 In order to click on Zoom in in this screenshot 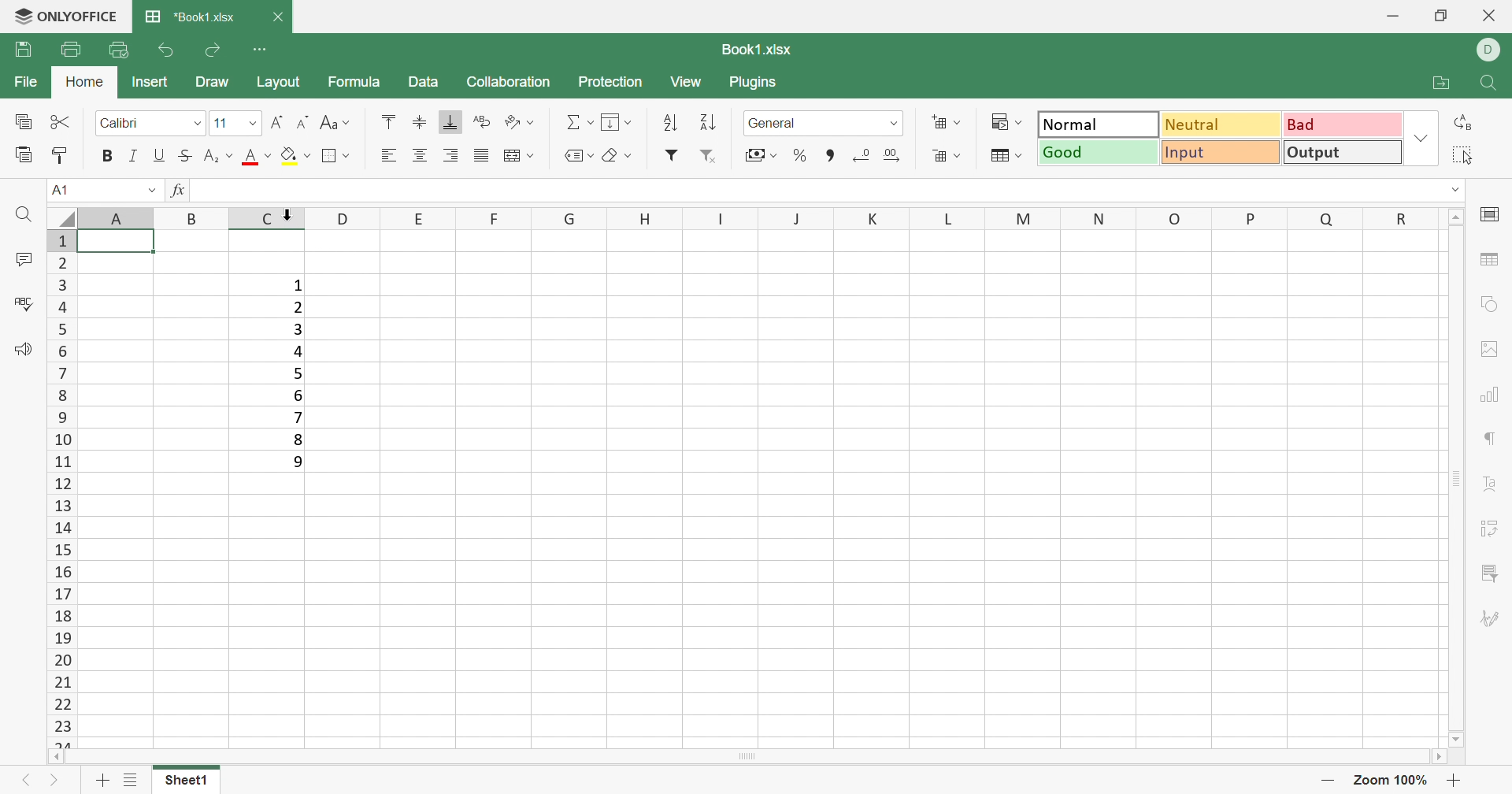, I will do `click(1329, 779)`.